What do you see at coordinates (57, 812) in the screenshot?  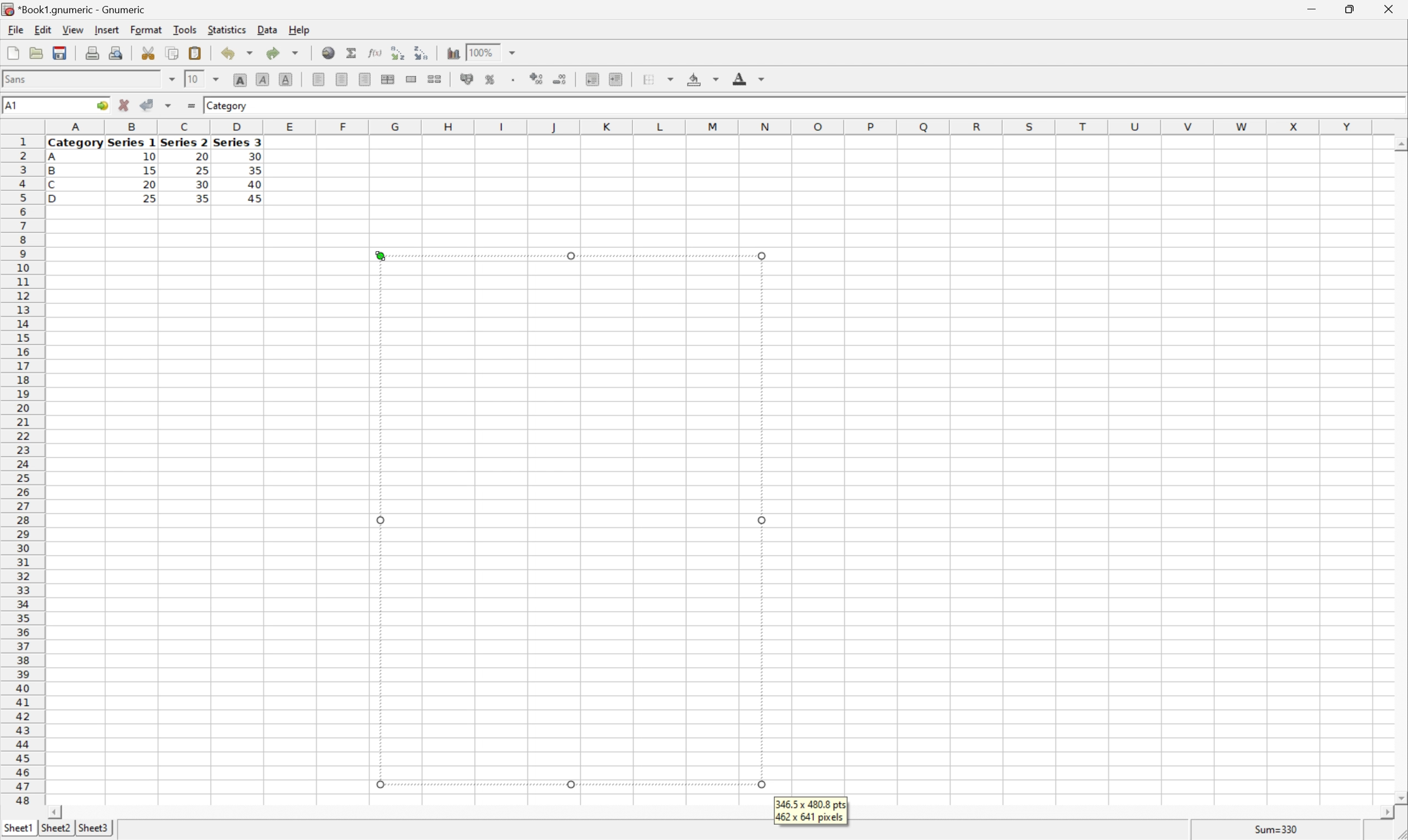 I see `Scroll Left` at bounding box center [57, 812].